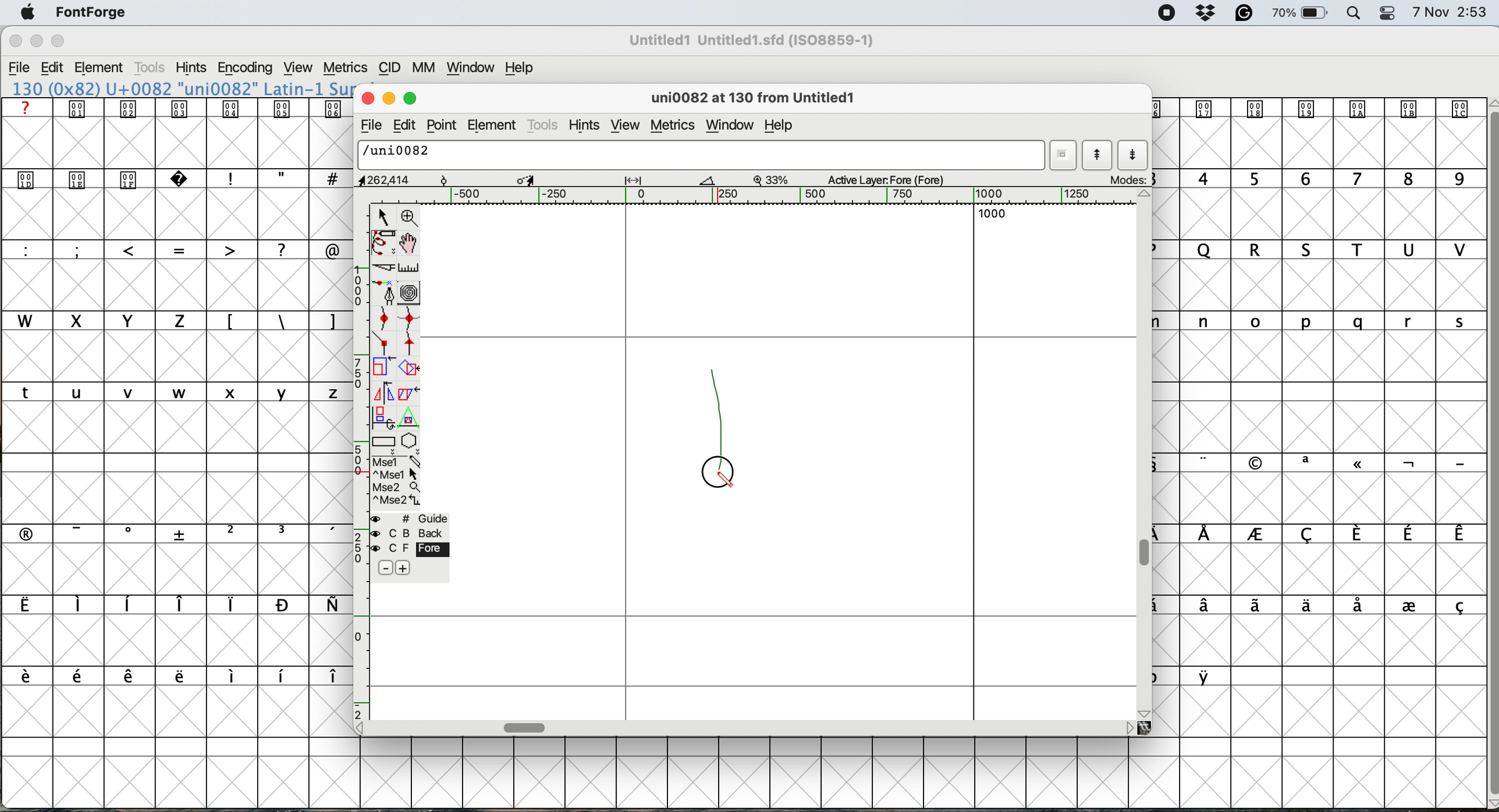 The width and height of the screenshot is (1499, 812). What do you see at coordinates (384, 418) in the screenshot?
I see `rotate selection in 3d then project back to plane` at bounding box center [384, 418].